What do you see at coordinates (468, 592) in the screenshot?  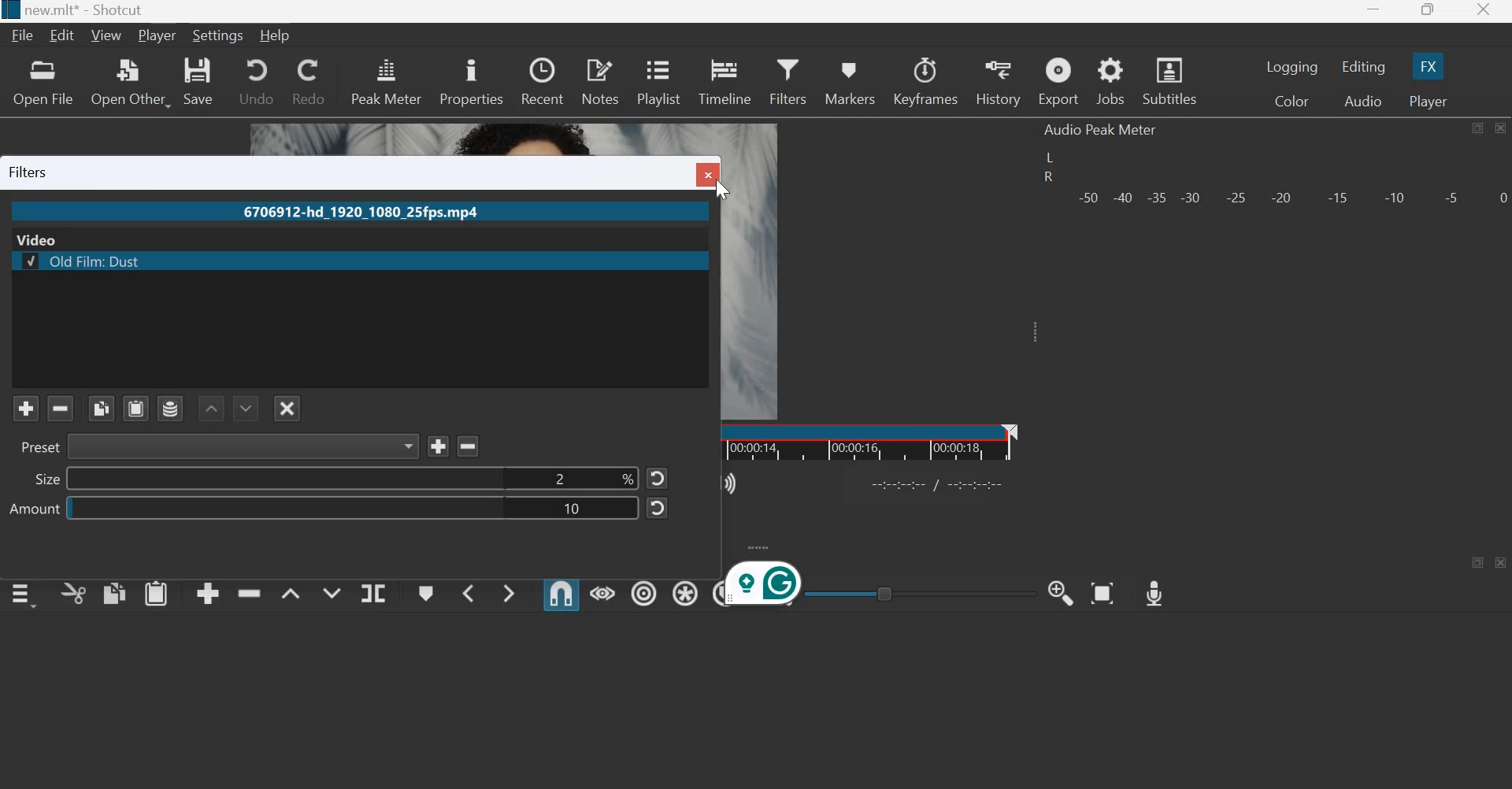 I see `Previous Marker` at bounding box center [468, 592].